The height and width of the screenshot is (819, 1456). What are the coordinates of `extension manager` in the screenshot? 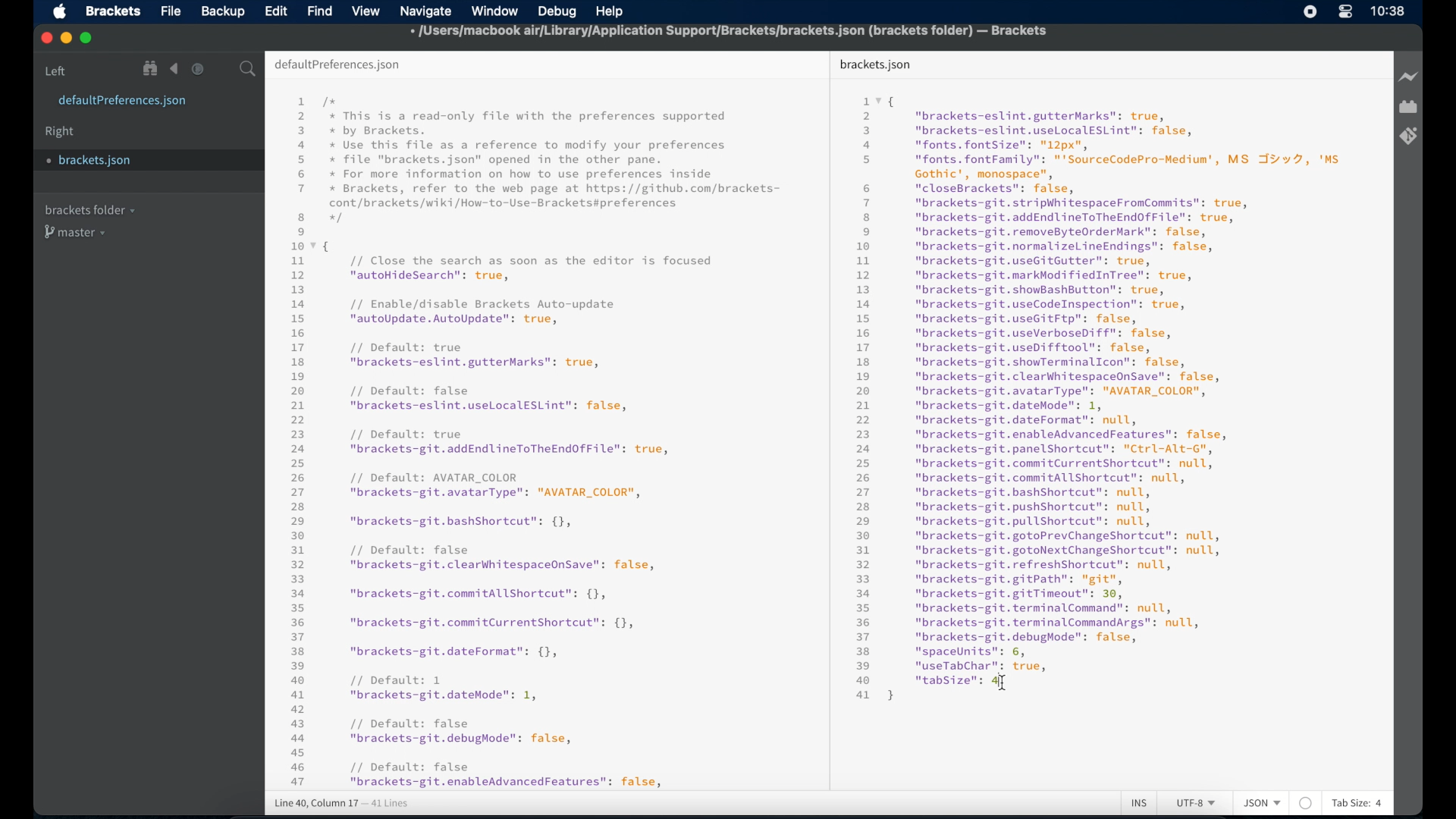 It's located at (1408, 107).